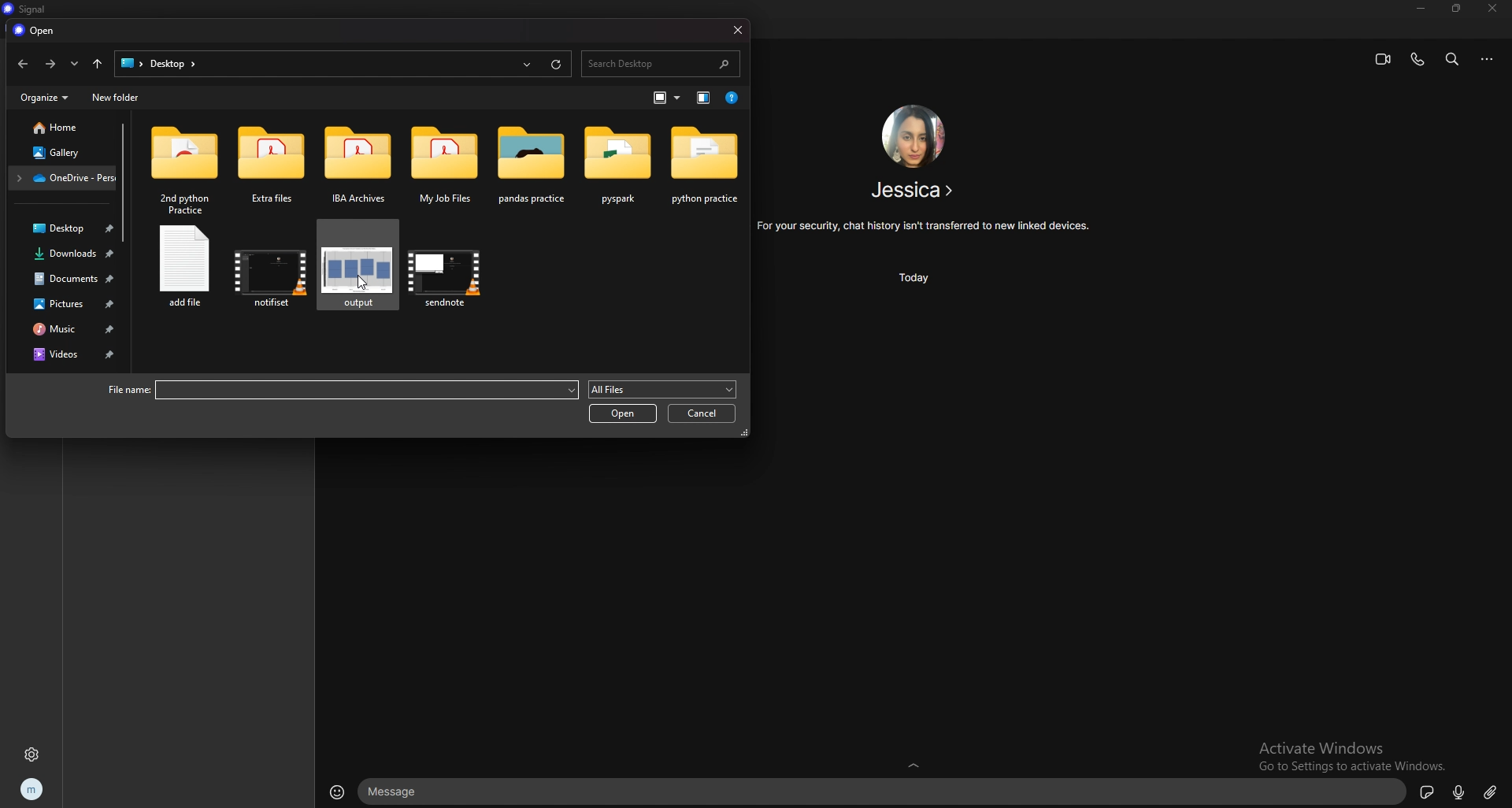 The height and width of the screenshot is (808, 1512). What do you see at coordinates (704, 413) in the screenshot?
I see `cancel` at bounding box center [704, 413].